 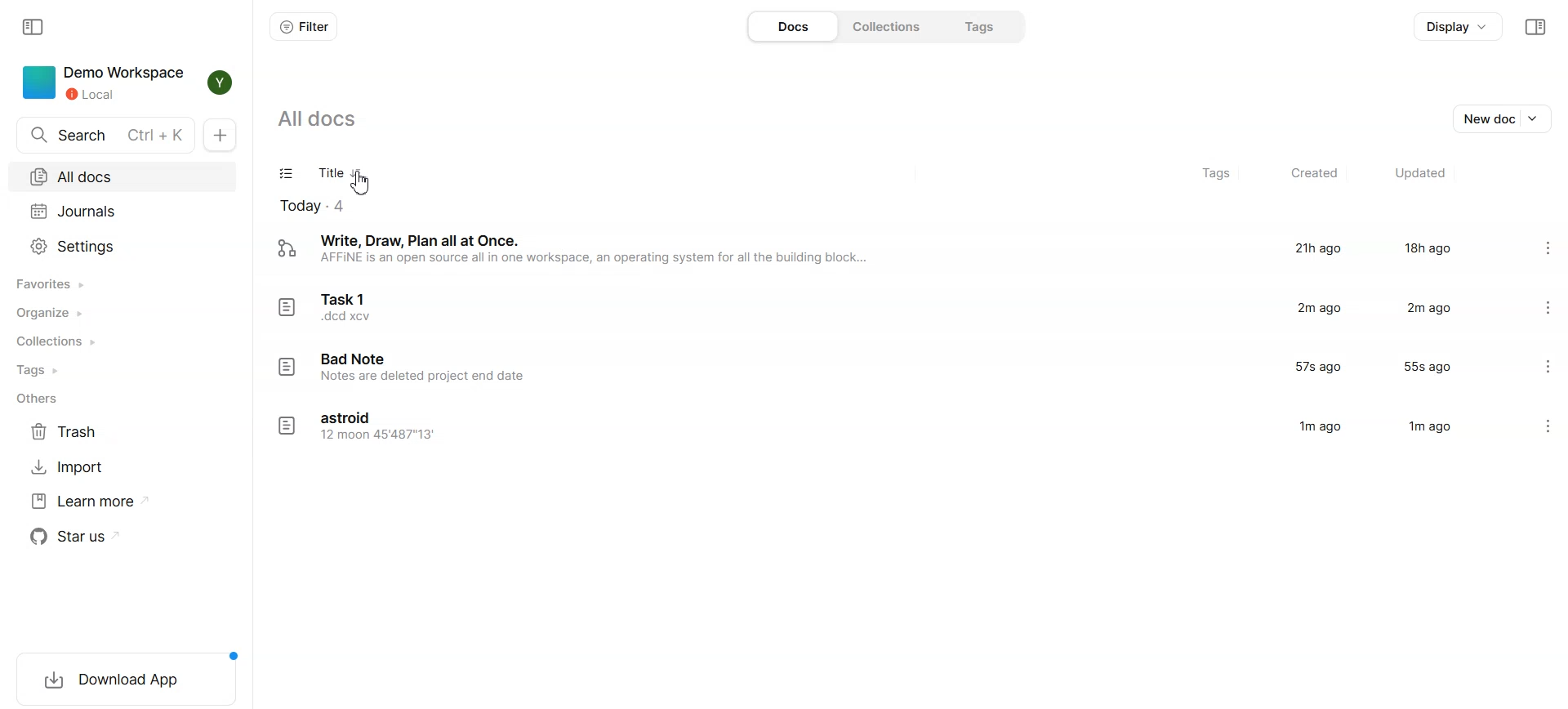 I want to click on 55s ago, so click(x=1432, y=368).